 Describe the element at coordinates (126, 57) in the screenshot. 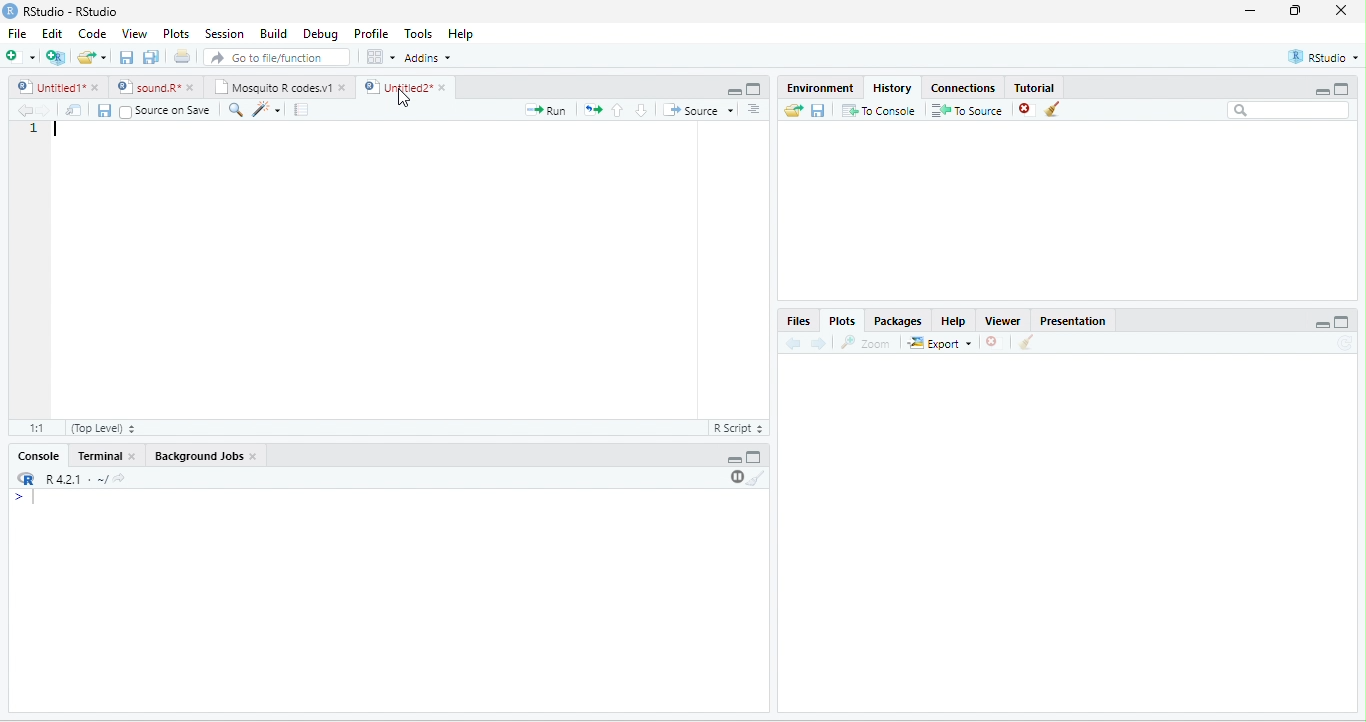

I see `save` at that location.